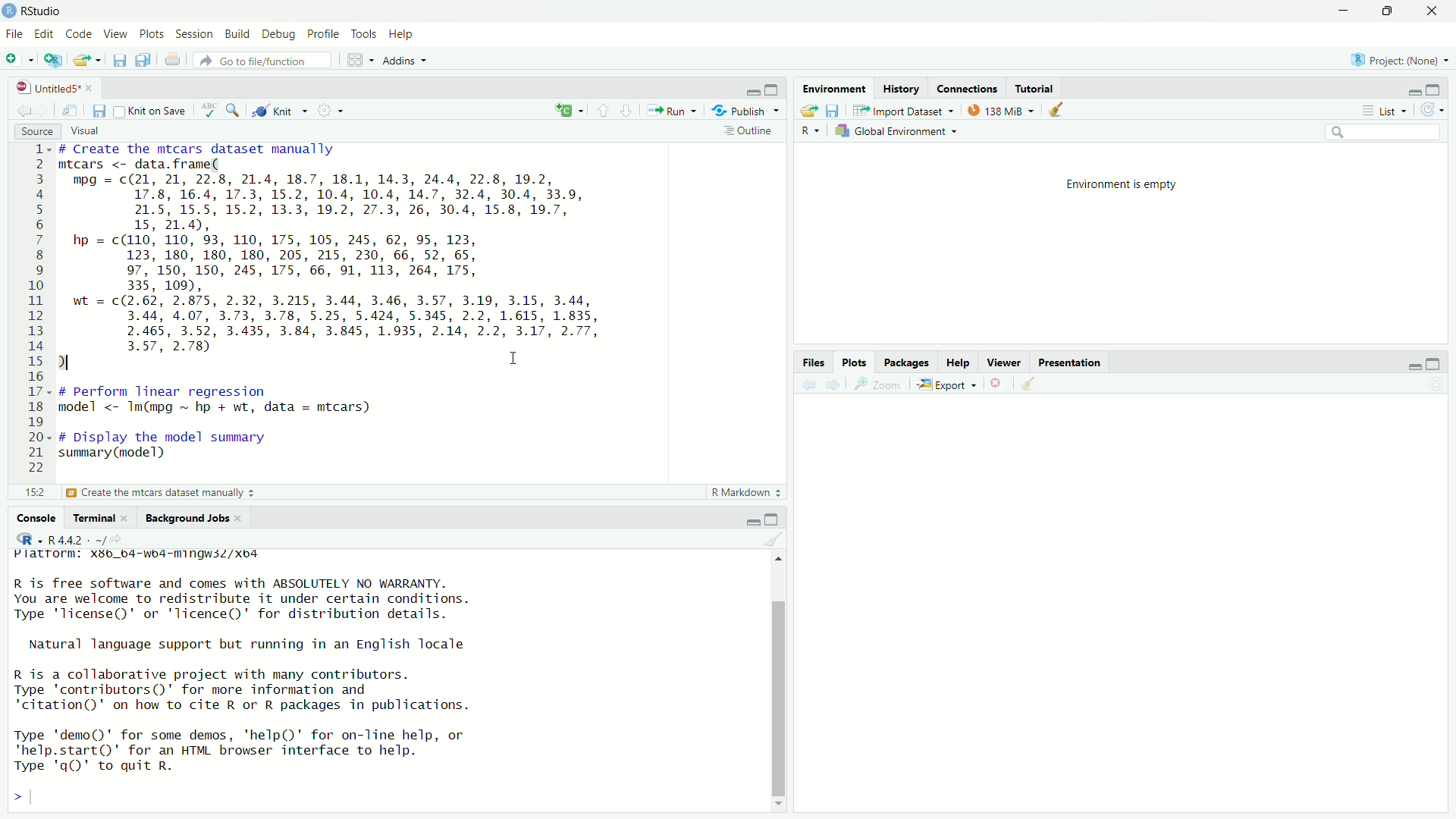 The image size is (1456, 819). What do you see at coordinates (882, 384) in the screenshot?
I see `Zoom` at bounding box center [882, 384].